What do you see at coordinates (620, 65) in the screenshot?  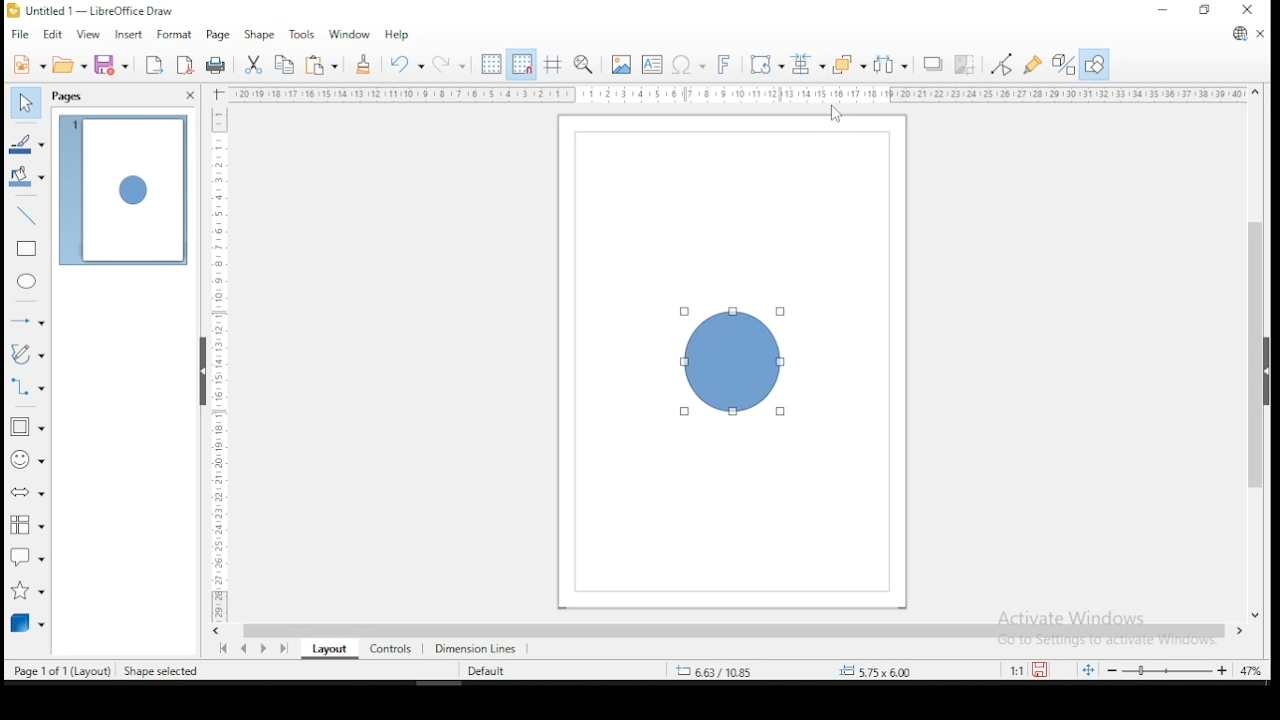 I see `insert image` at bounding box center [620, 65].